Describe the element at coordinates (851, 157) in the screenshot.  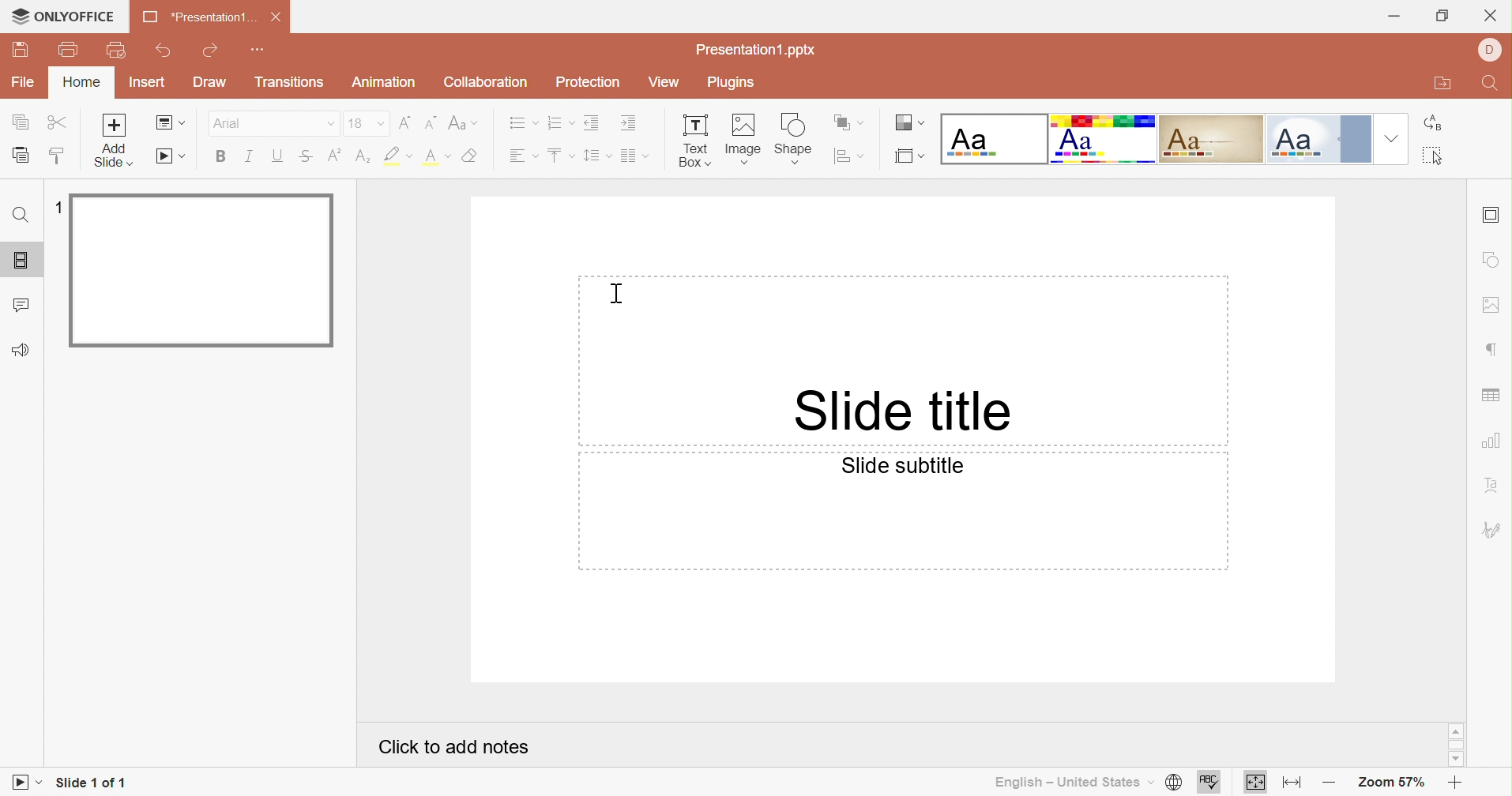
I see `Align shape` at that location.